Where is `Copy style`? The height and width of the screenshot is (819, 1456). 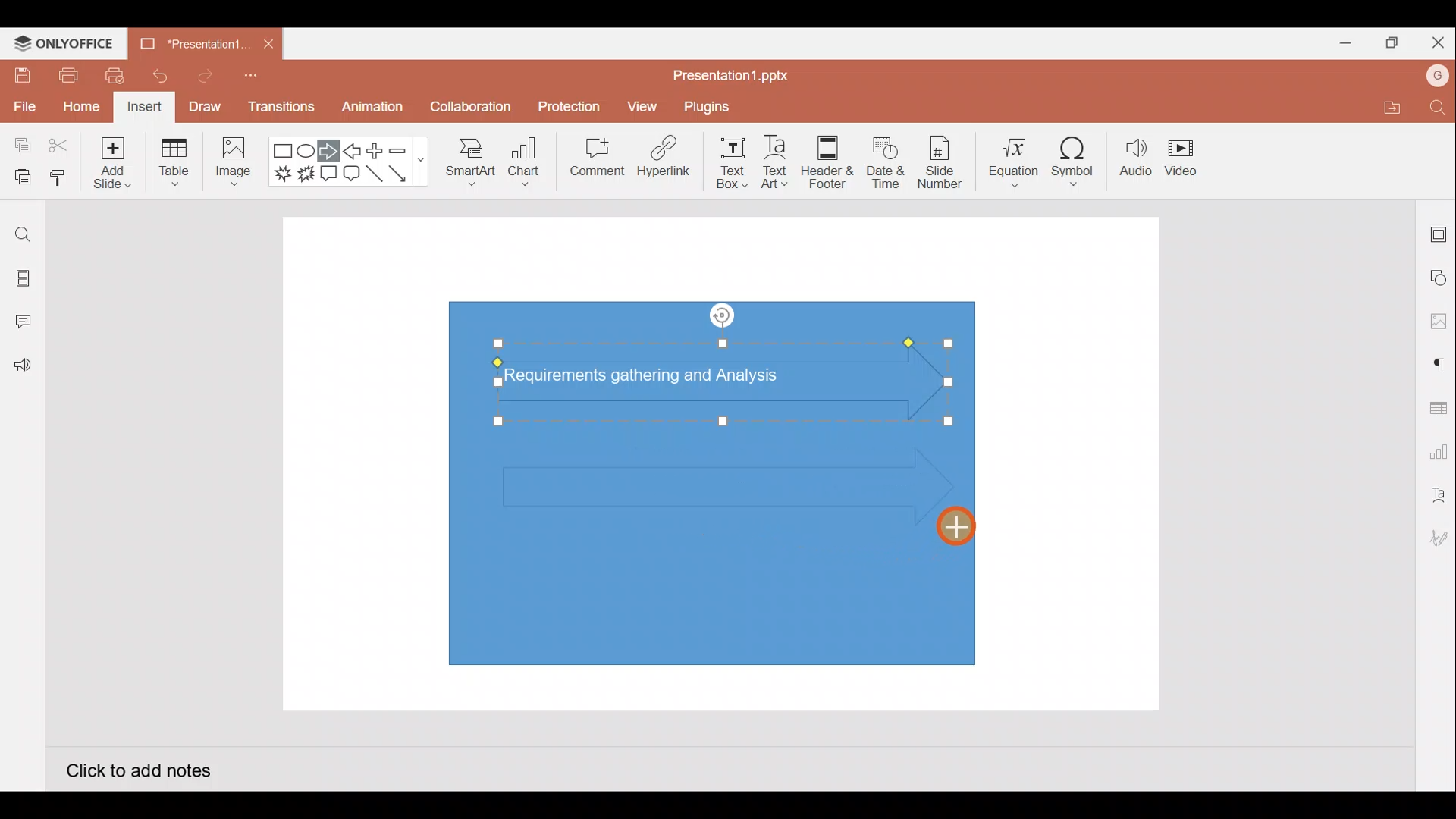
Copy style is located at coordinates (59, 180).